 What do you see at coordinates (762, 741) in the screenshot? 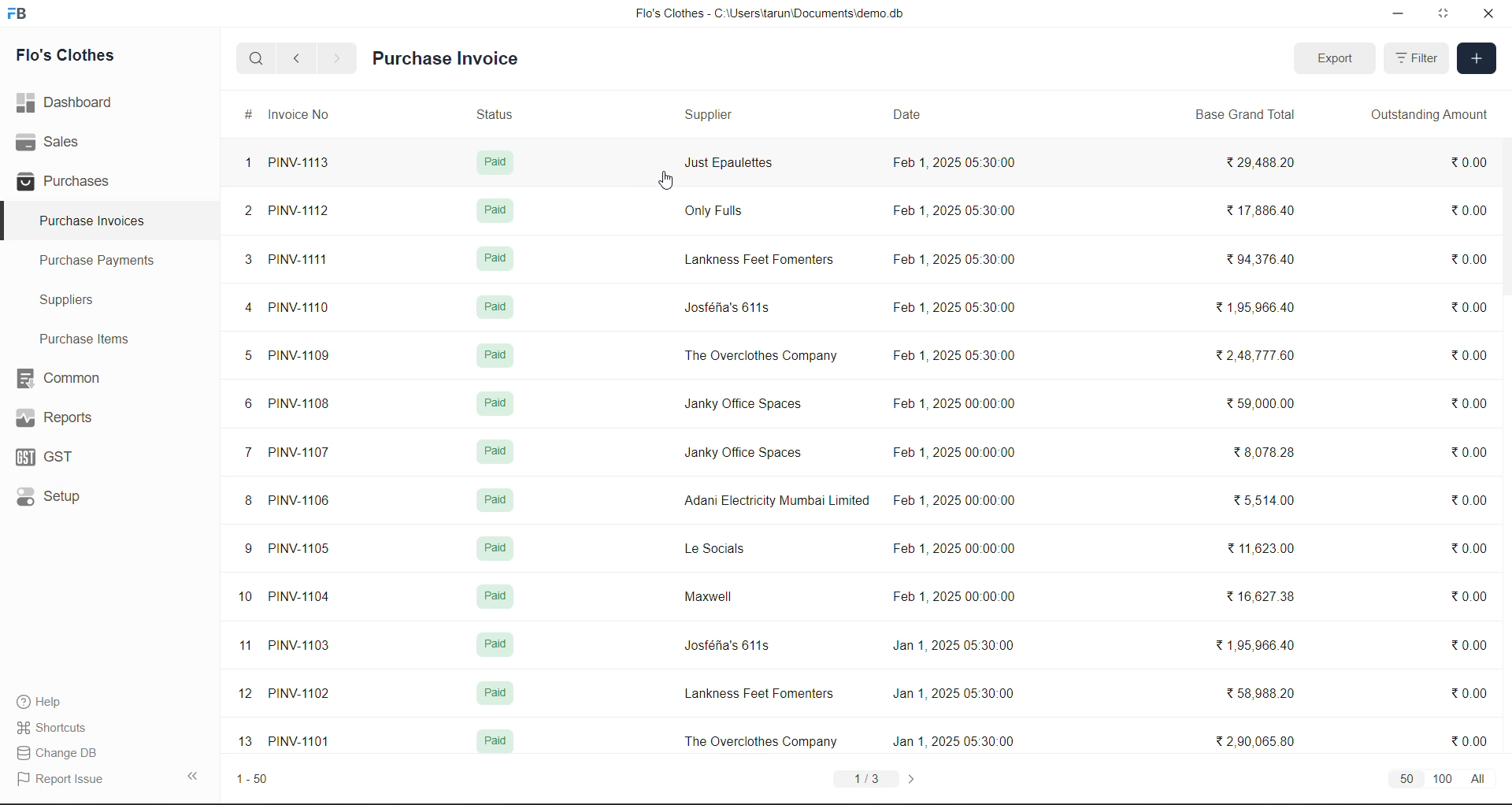
I see `The Overclothes Company` at bounding box center [762, 741].